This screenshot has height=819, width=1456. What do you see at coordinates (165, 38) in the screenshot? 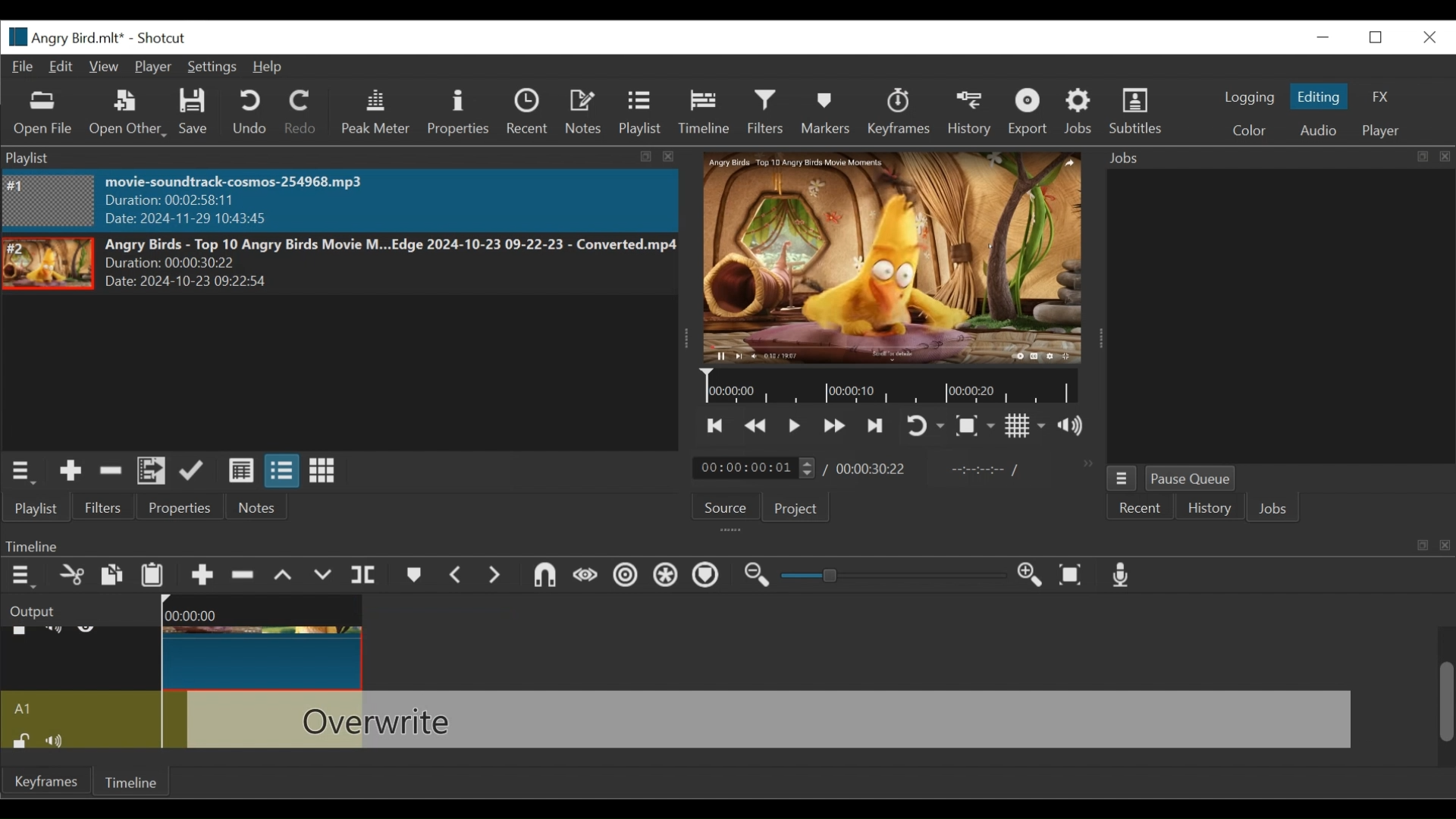
I see `Shotcut` at bounding box center [165, 38].